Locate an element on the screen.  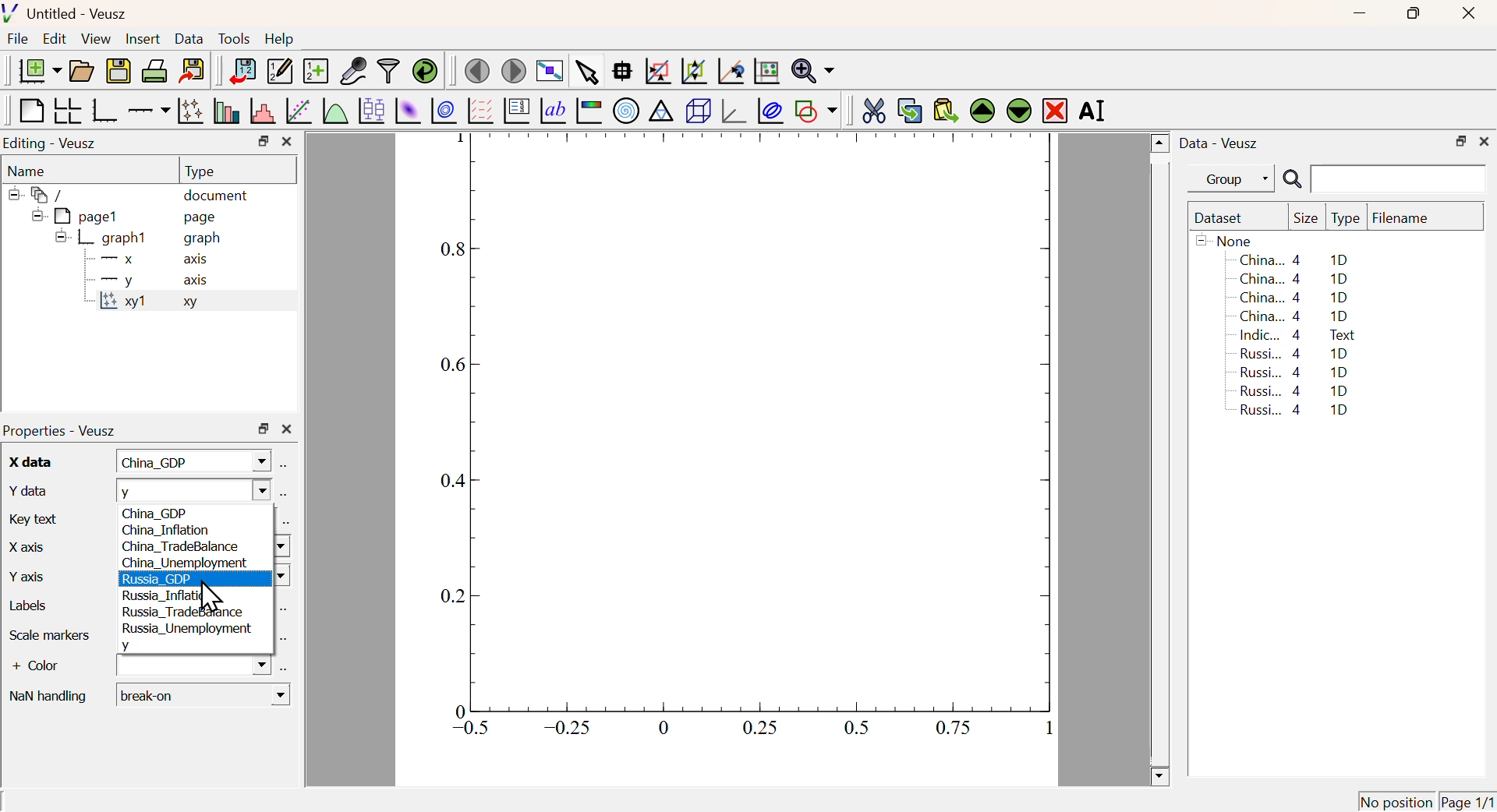
China... 4 1D is located at coordinates (1294, 316).